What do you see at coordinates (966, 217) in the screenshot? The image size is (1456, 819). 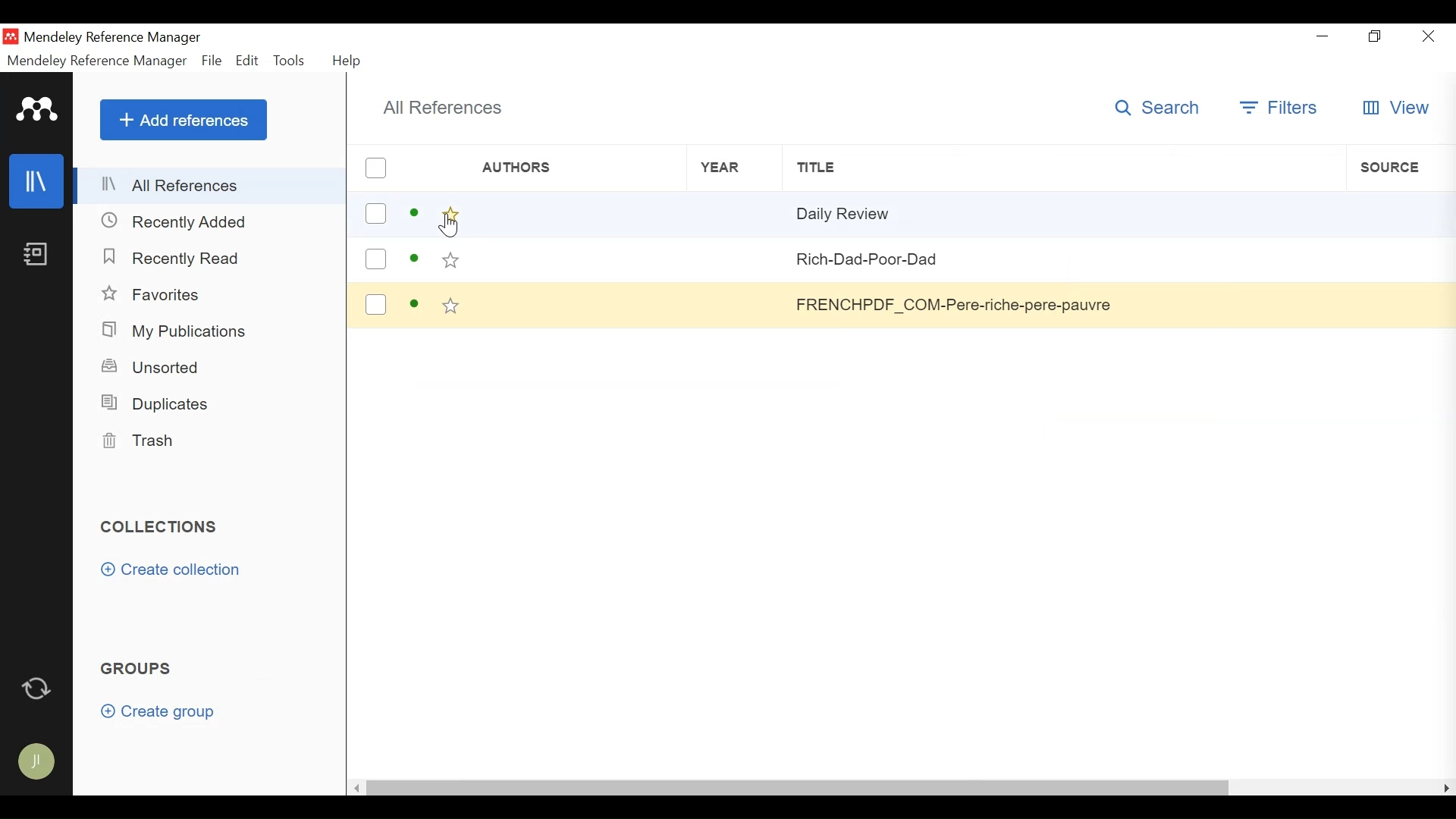 I see `daily review` at bounding box center [966, 217].